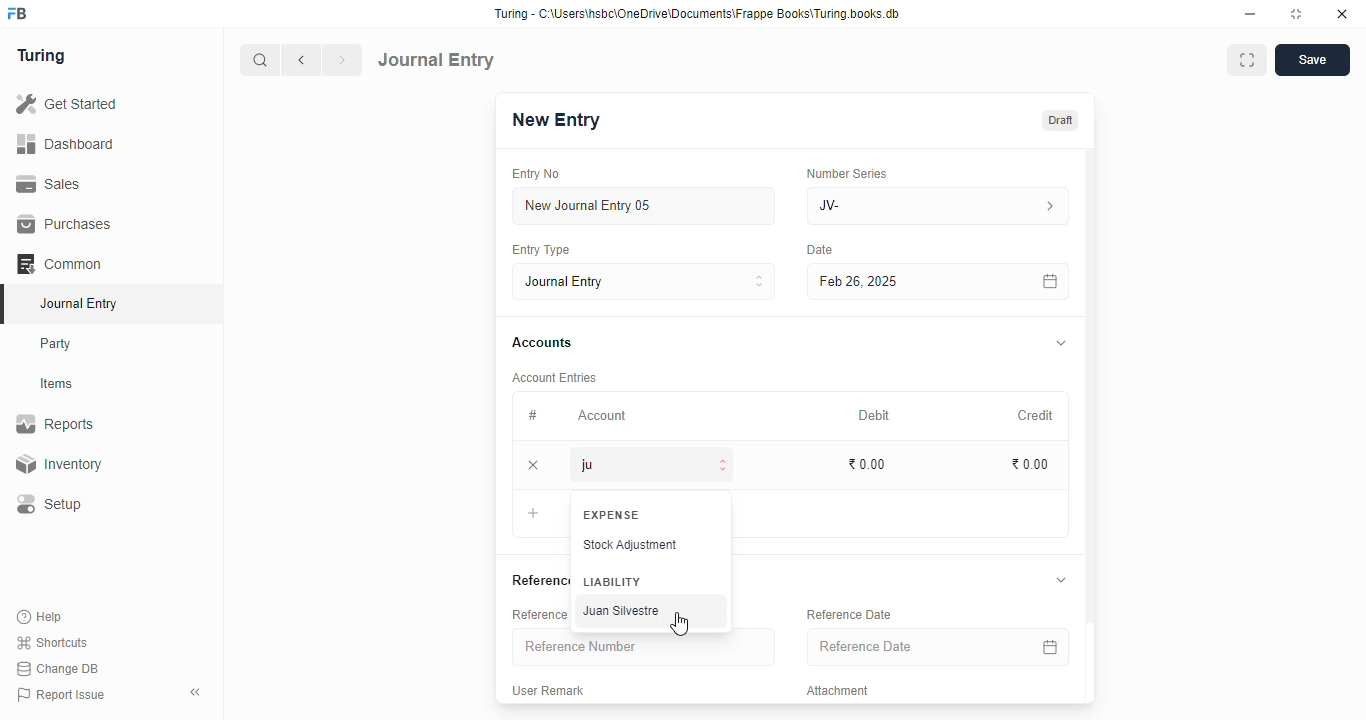 The height and width of the screenshot is (720, 1366). What do you see at coordinates (52, 643) in the screenshot?
I see `shortcuts` at bounding box center [52, 643].